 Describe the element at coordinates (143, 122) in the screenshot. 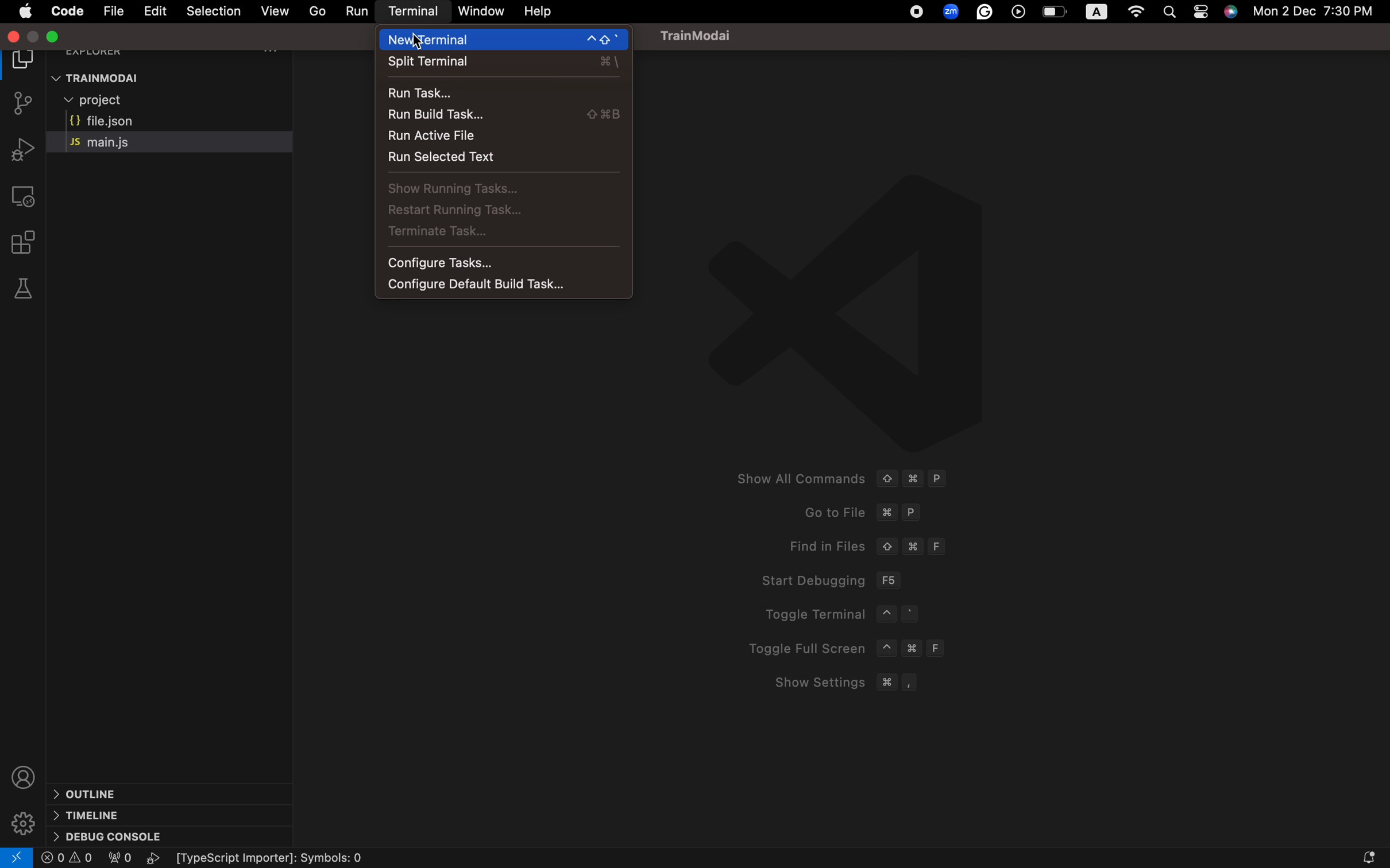

I see `file json` at that location.